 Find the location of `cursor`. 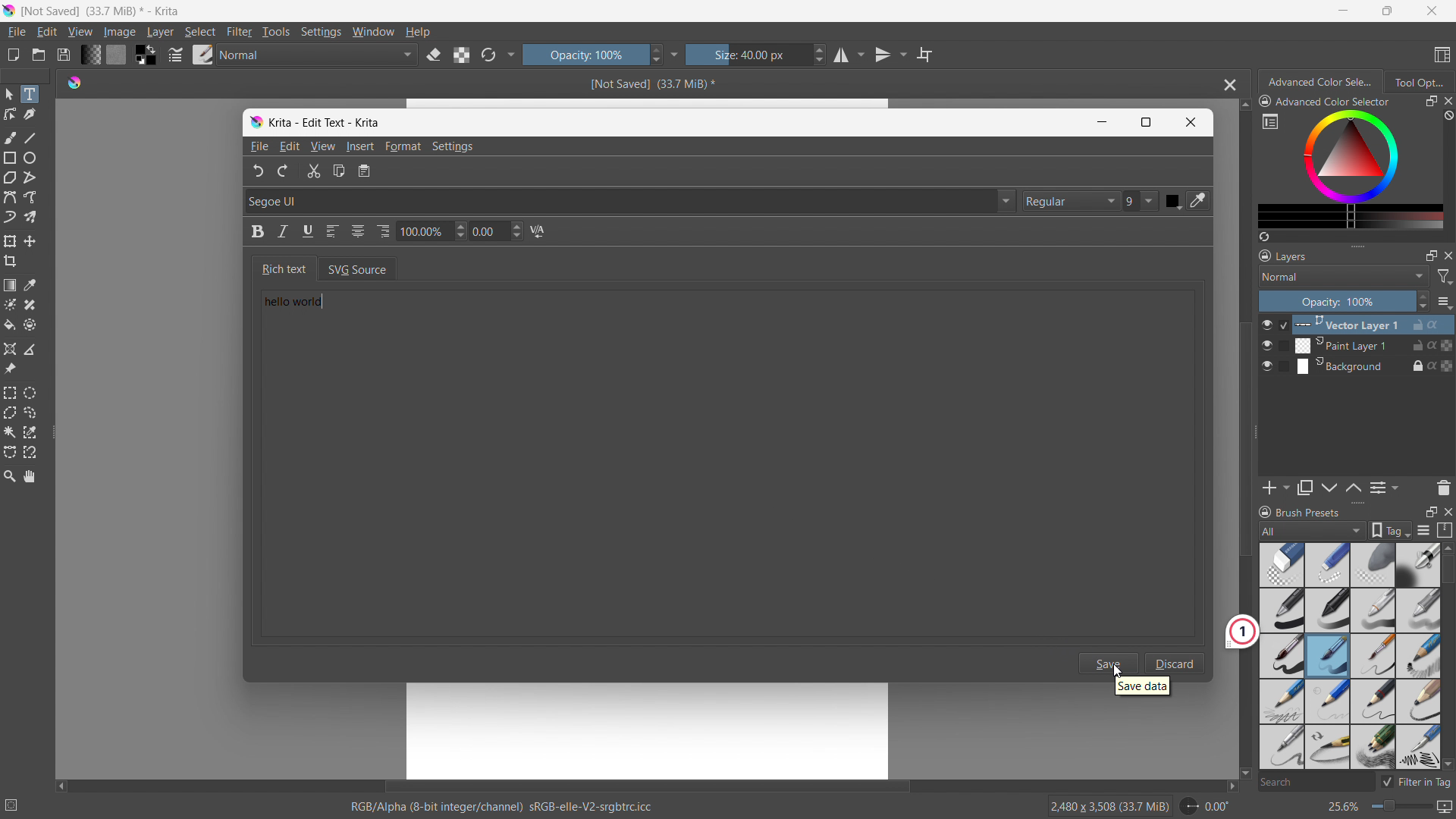

cursor is located at coordinates (1117, 670).